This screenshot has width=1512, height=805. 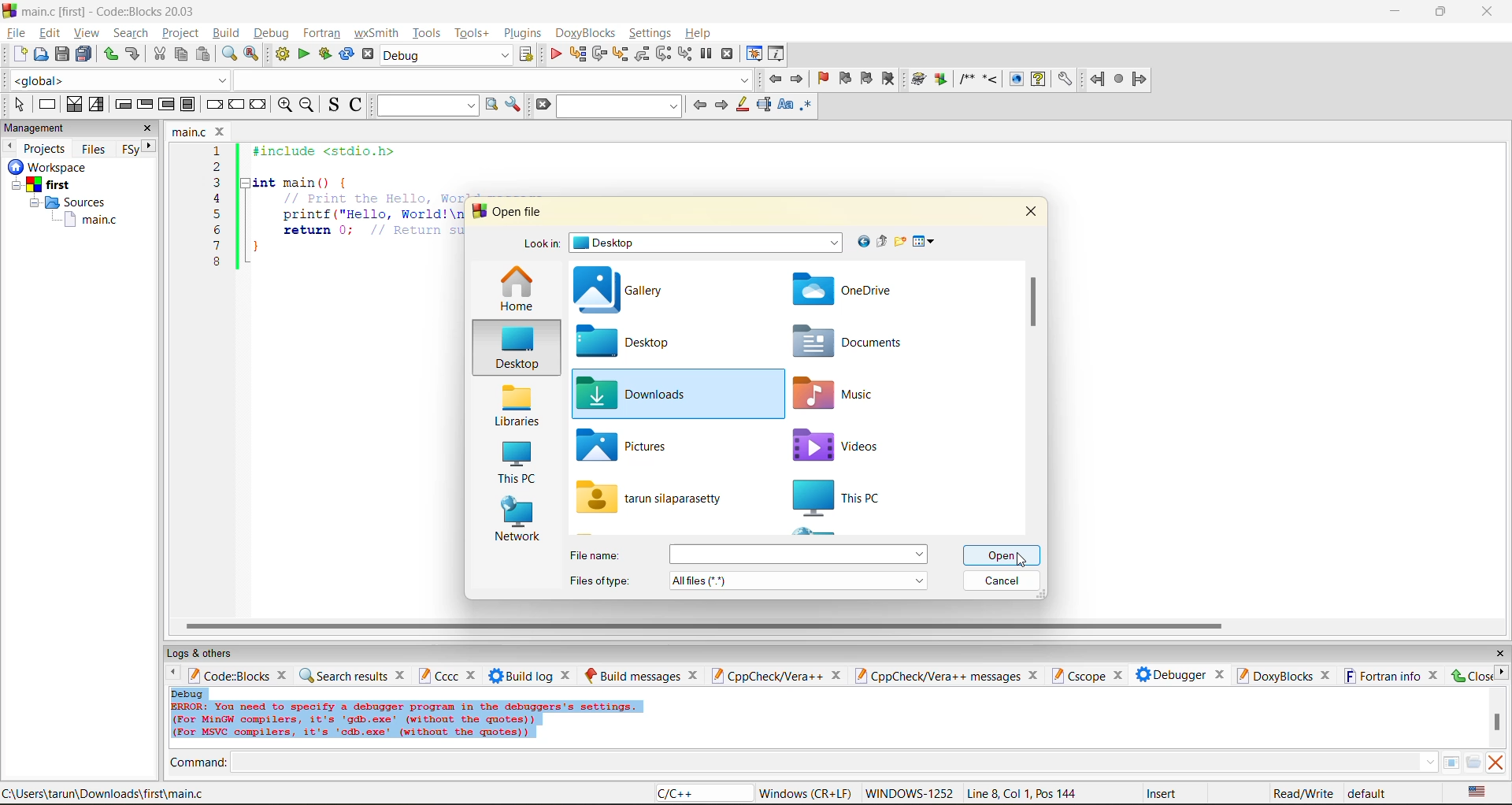 I want to click on run search, so click(x=491, y=105).